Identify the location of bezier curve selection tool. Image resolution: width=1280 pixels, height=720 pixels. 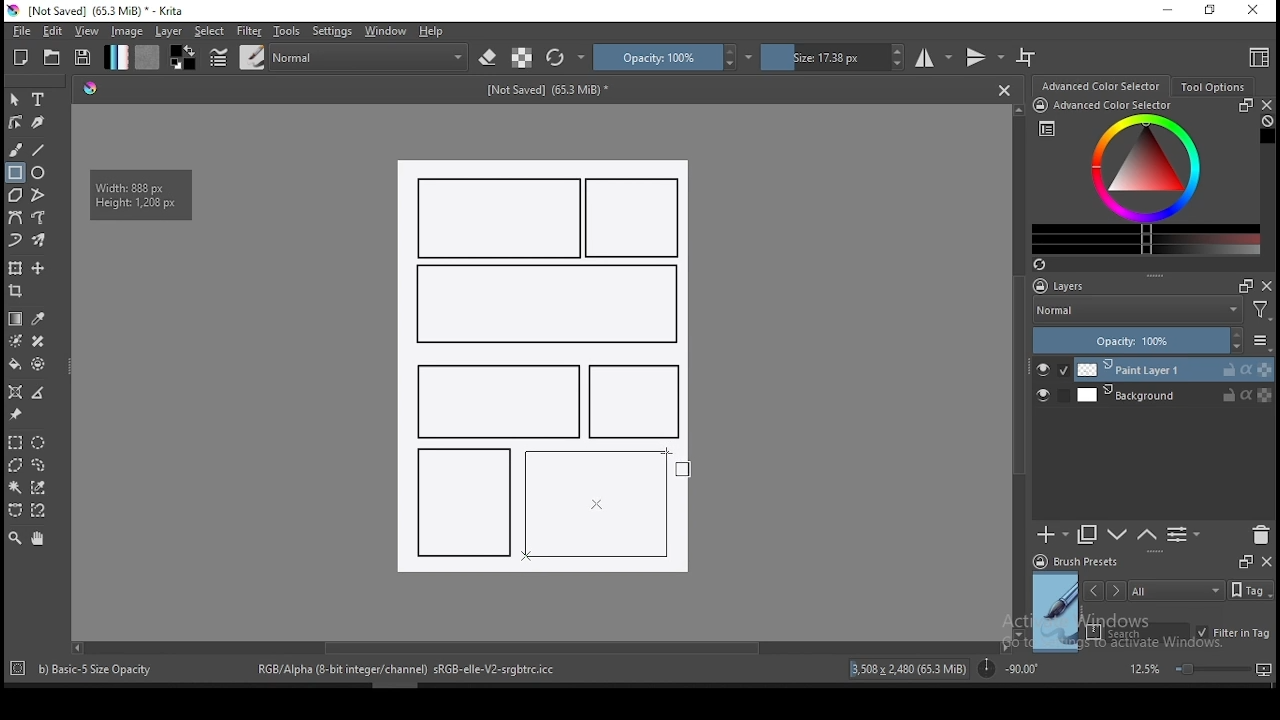
(15, 511).